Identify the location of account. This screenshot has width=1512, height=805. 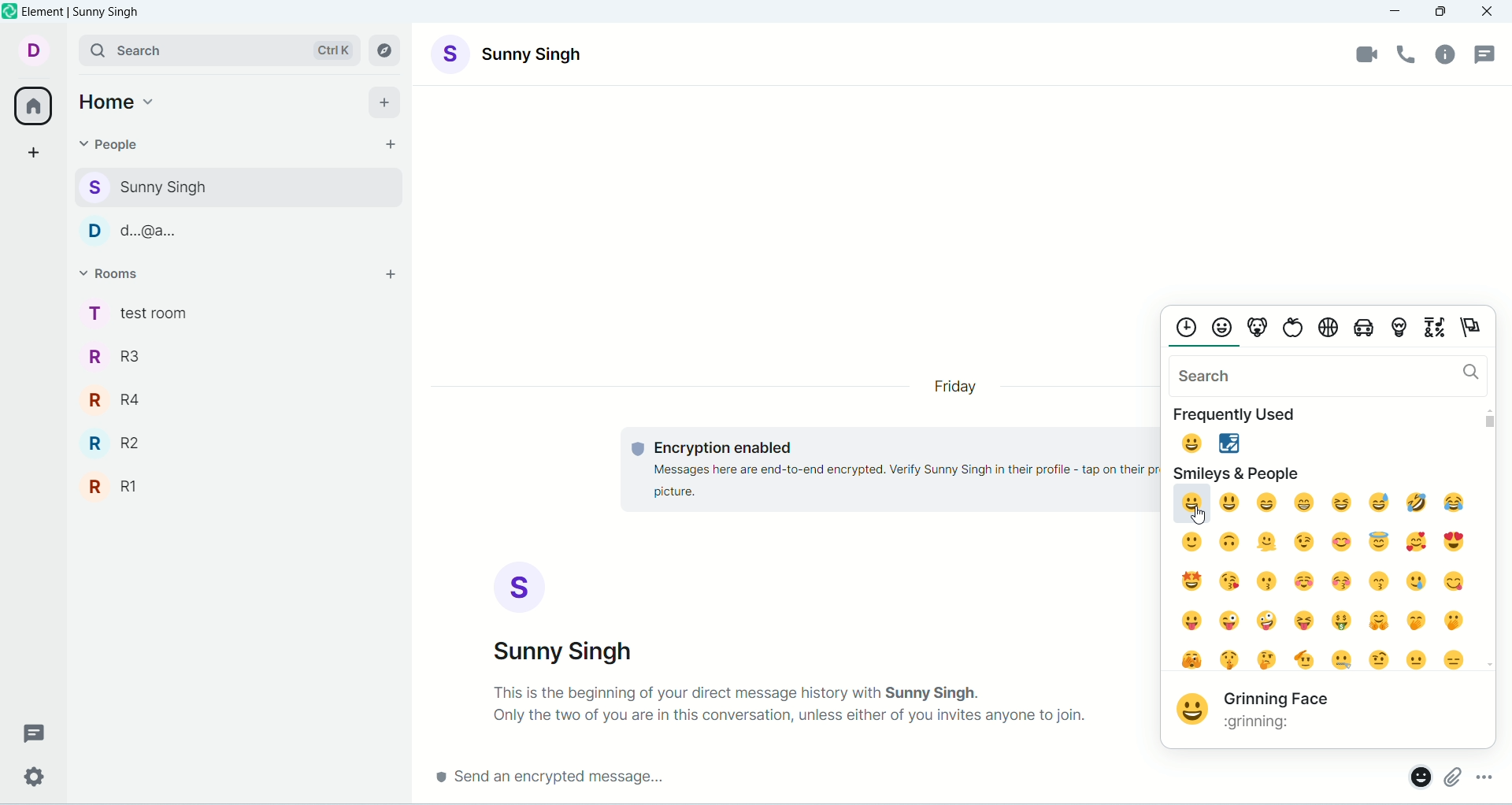
(568, 613).